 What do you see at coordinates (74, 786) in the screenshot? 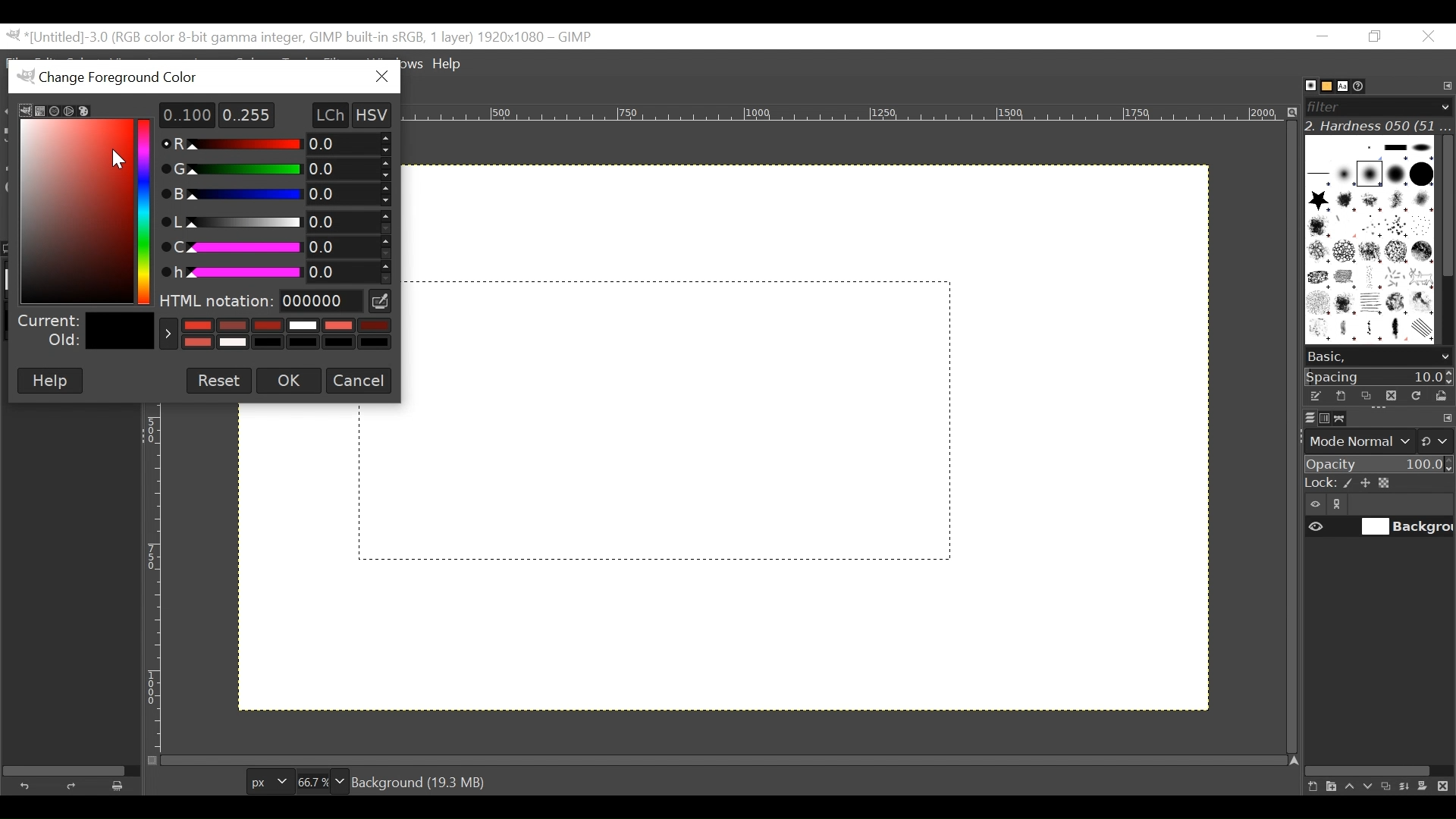
I see `Redo` at bounding box center [74, 786].